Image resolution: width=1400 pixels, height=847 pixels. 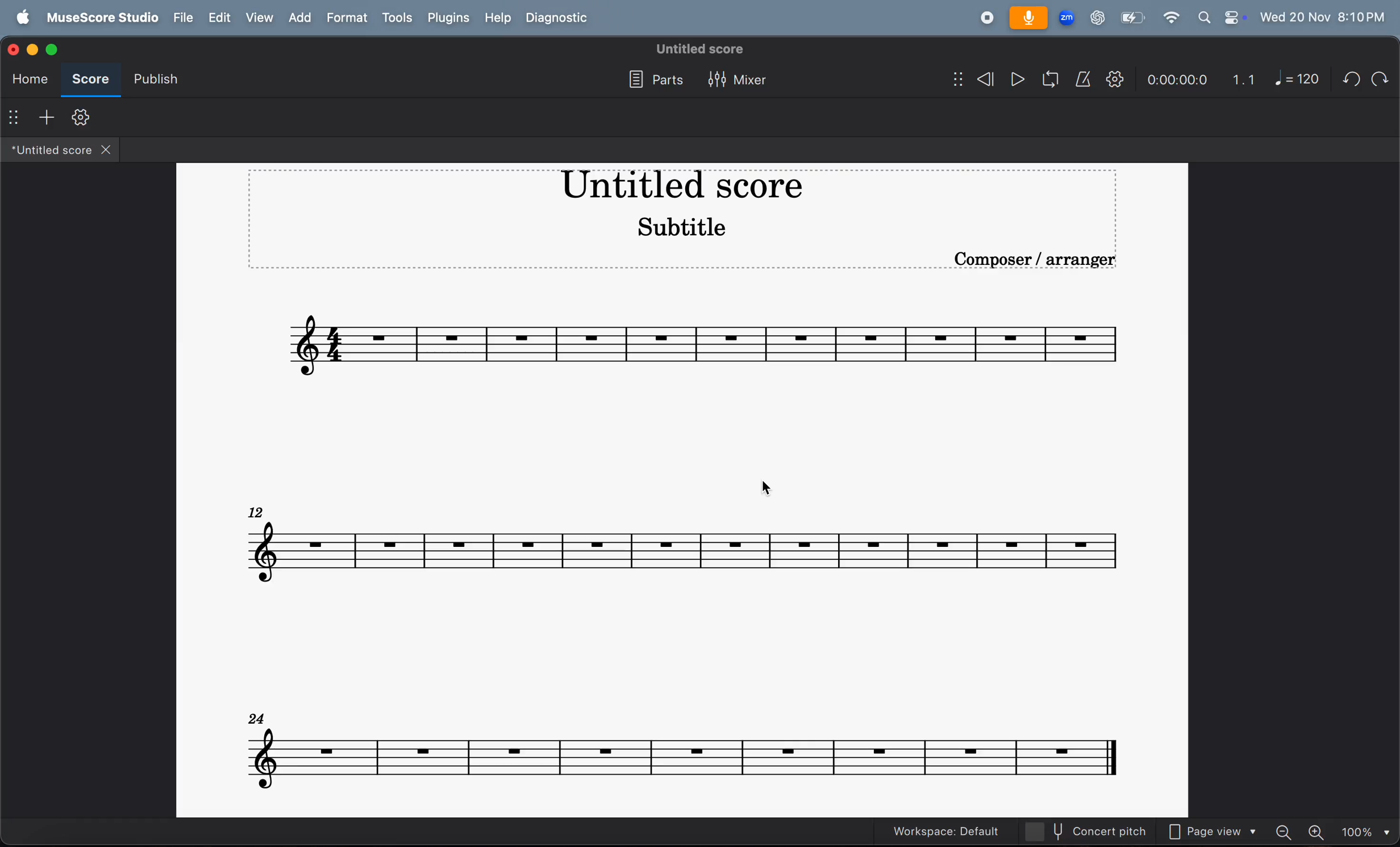 What do you see at coordinates (1028, 19) in the screenshot?
I see `microphone` at bounding box center [1028, 19].